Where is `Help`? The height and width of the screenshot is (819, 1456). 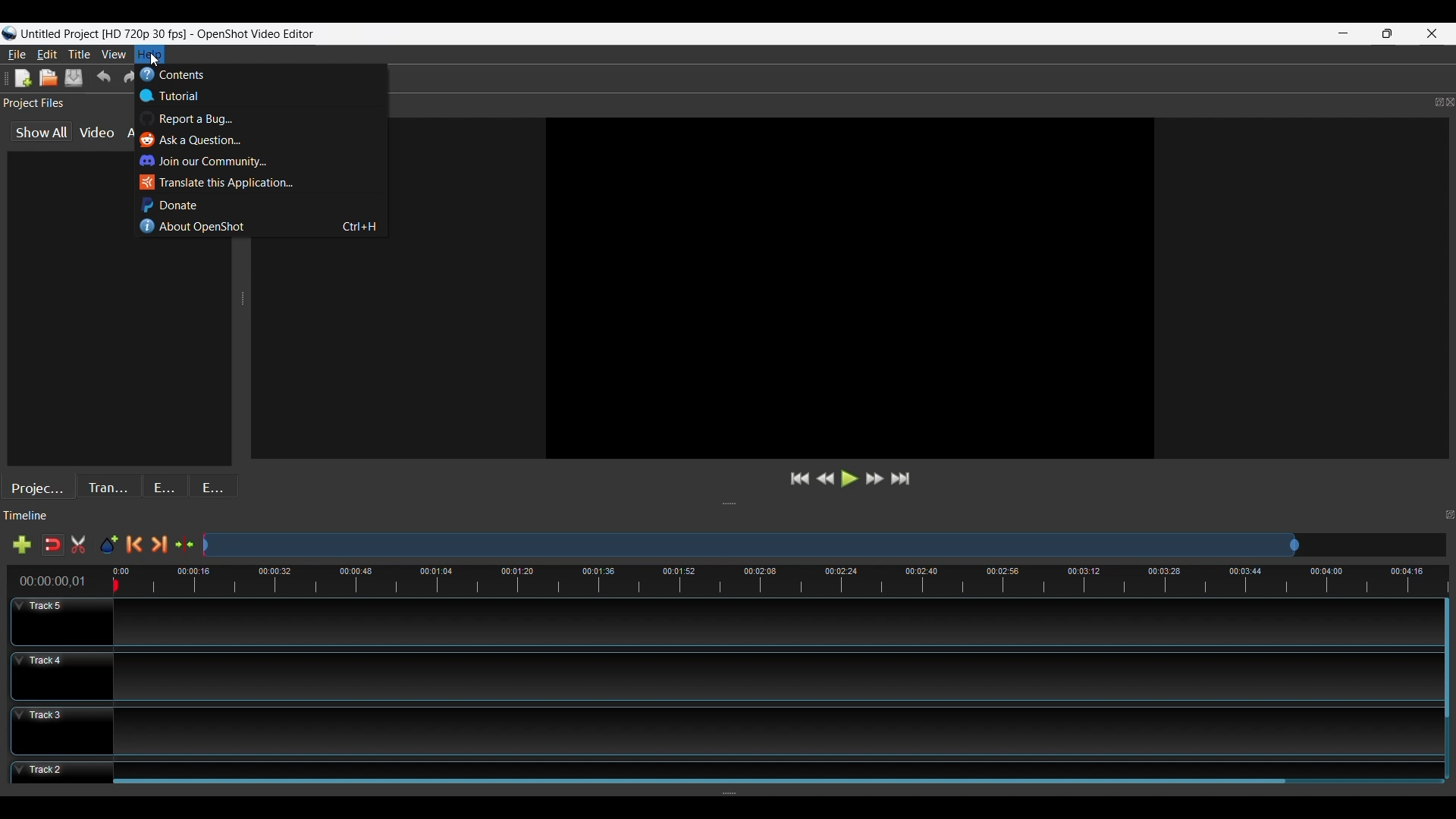
Help is located at coordinates (149, 55).